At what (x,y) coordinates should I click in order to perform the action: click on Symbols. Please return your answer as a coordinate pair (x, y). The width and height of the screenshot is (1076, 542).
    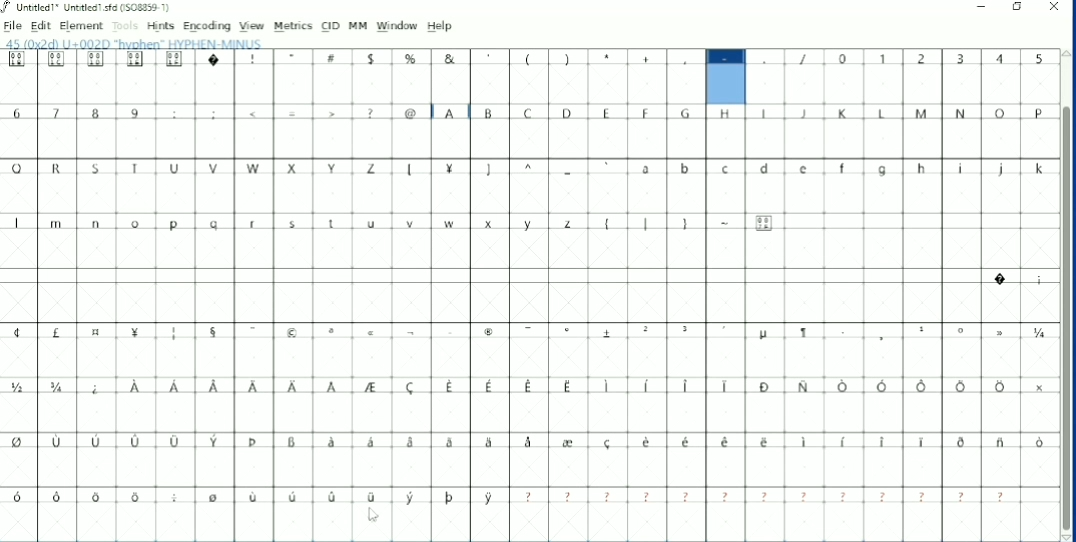
    Looking at the image, I should click on (1017, 280).